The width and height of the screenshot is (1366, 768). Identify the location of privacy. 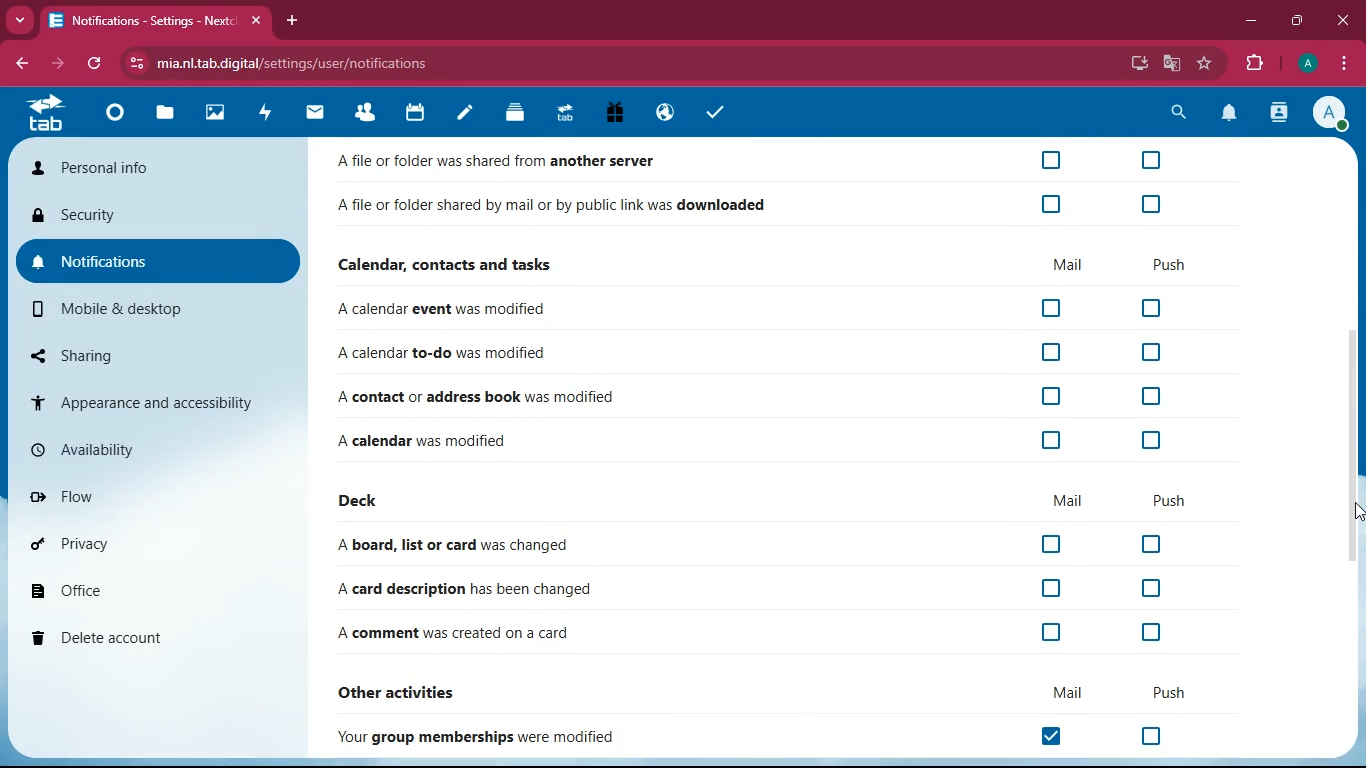
(150, 542).